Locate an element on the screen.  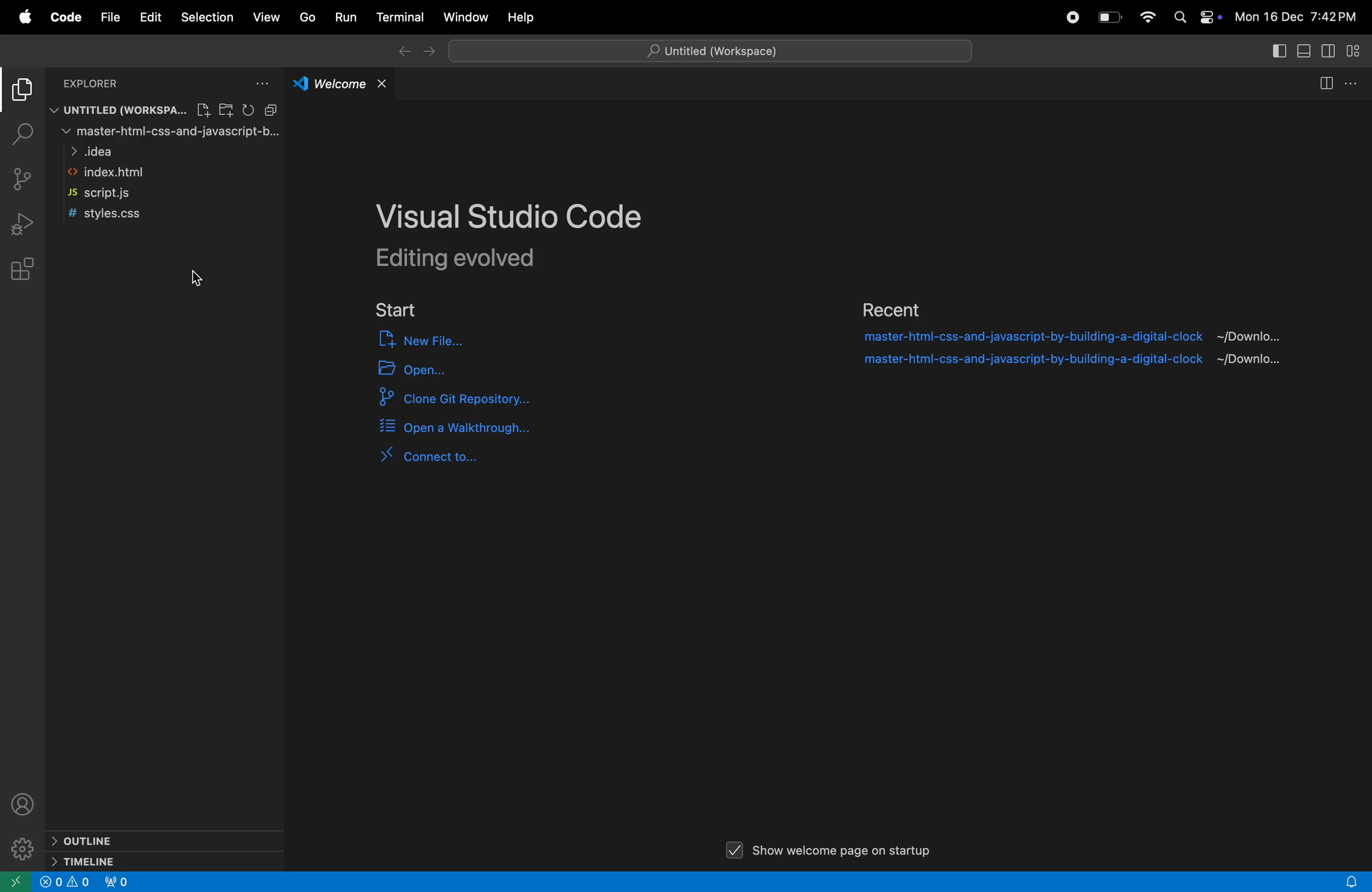
clone git repository is located at coordinates (487, 399).